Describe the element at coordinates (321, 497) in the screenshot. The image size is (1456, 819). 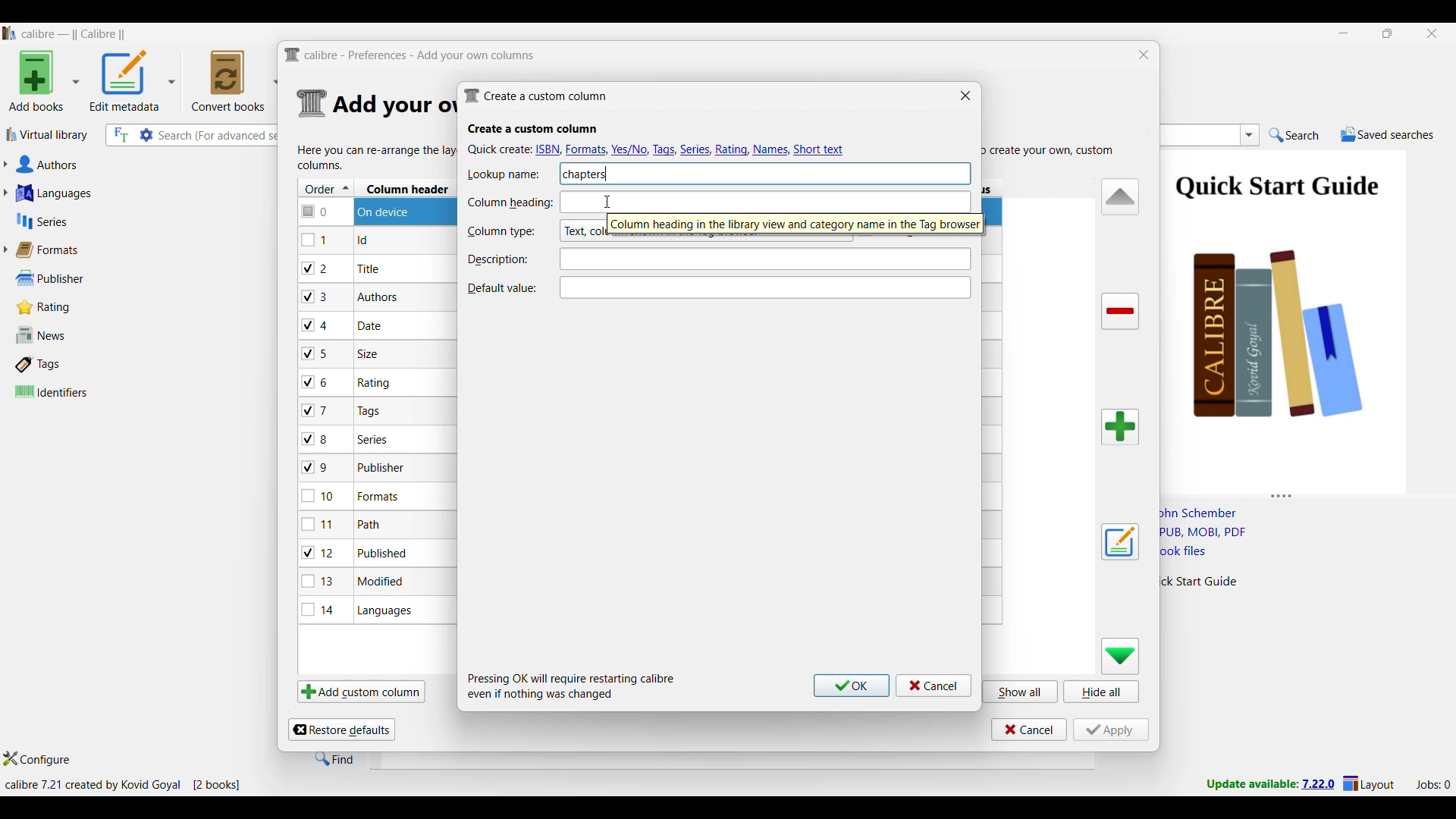
I see `checkbox - 10` at that location.